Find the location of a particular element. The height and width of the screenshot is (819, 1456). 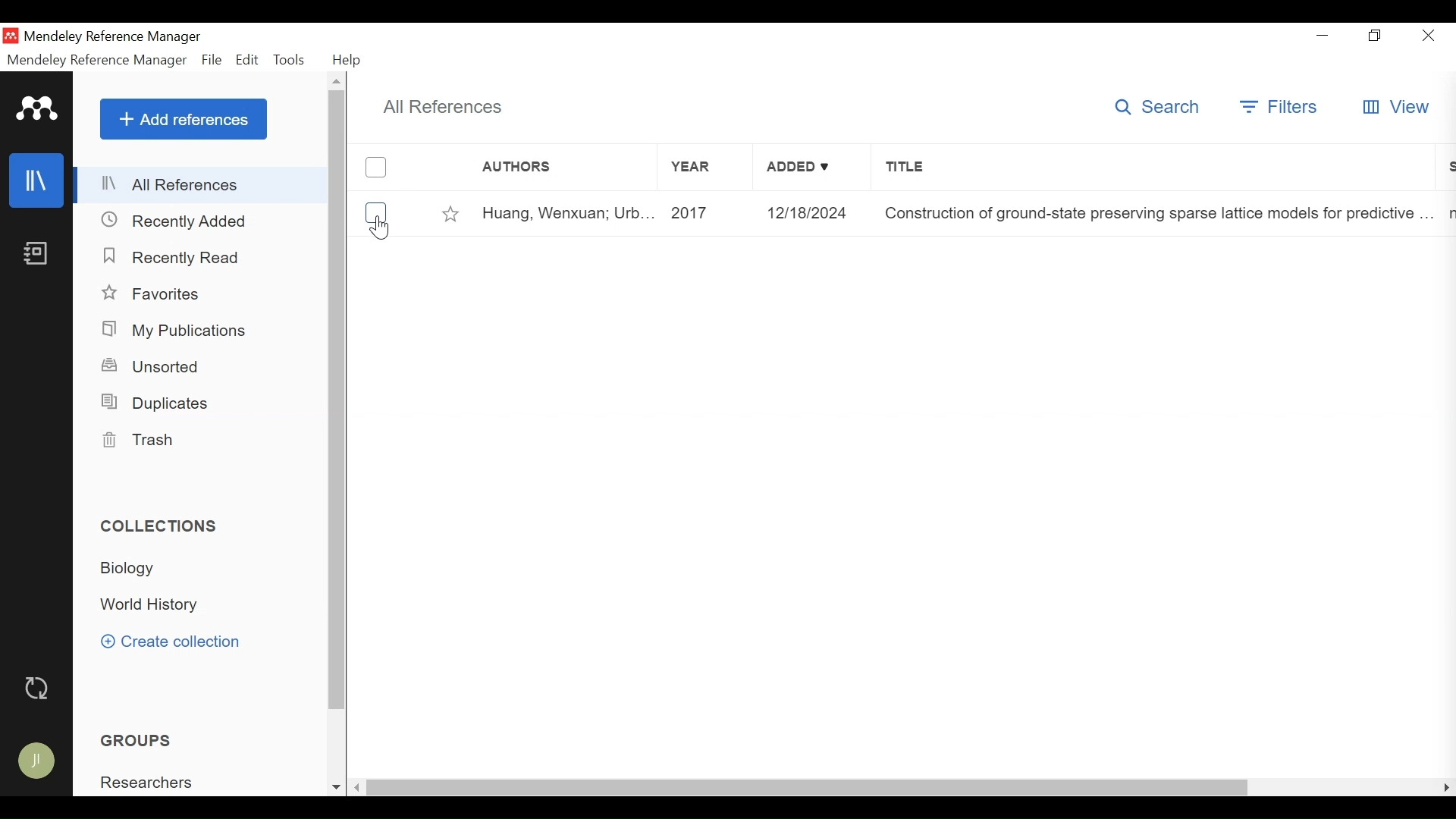

Vertical Scroll bar is located at coordinates (338, 399).